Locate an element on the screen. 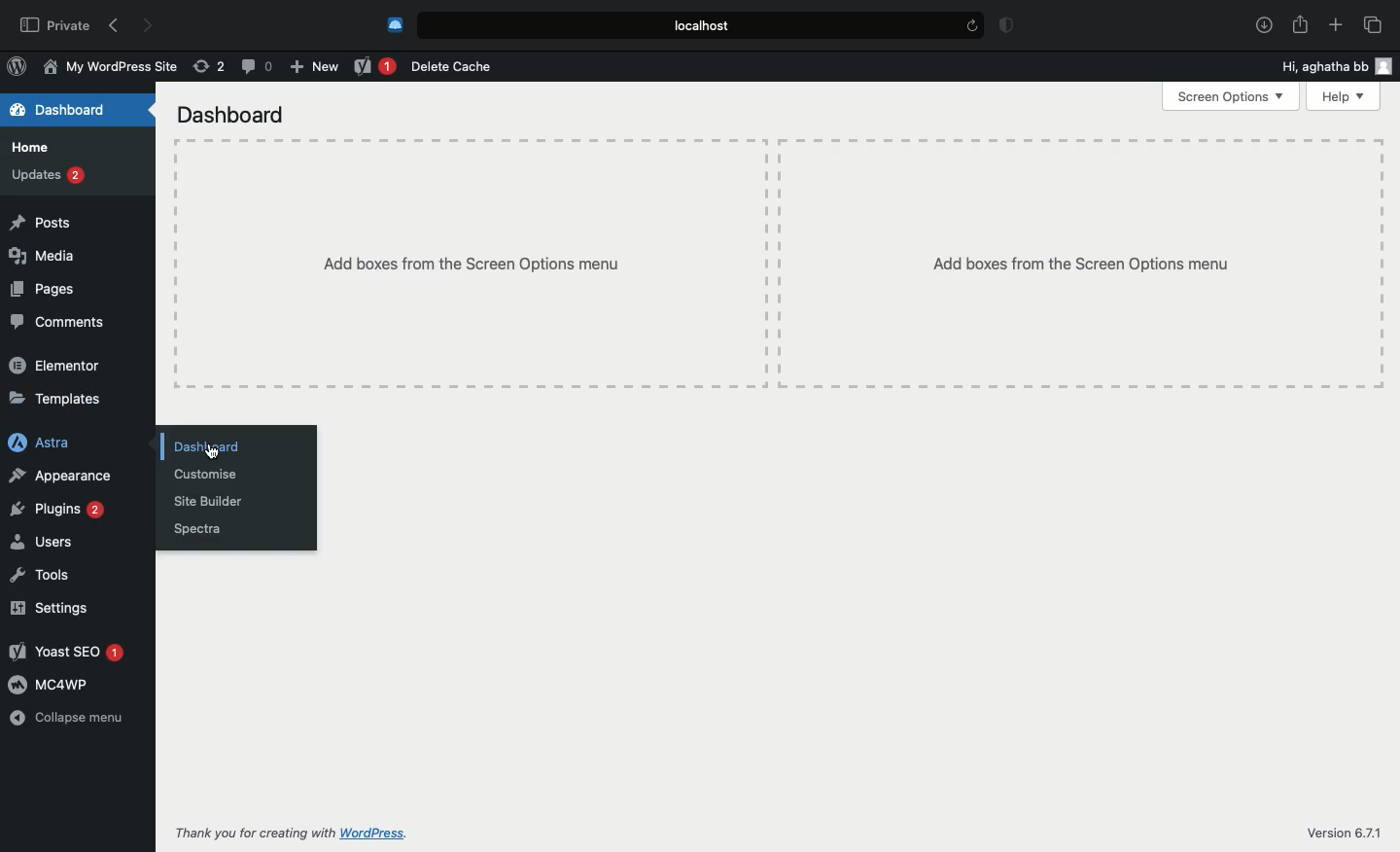 This screenshot has height=852, width=1400. Elementor is located at coordinates (62, 366).